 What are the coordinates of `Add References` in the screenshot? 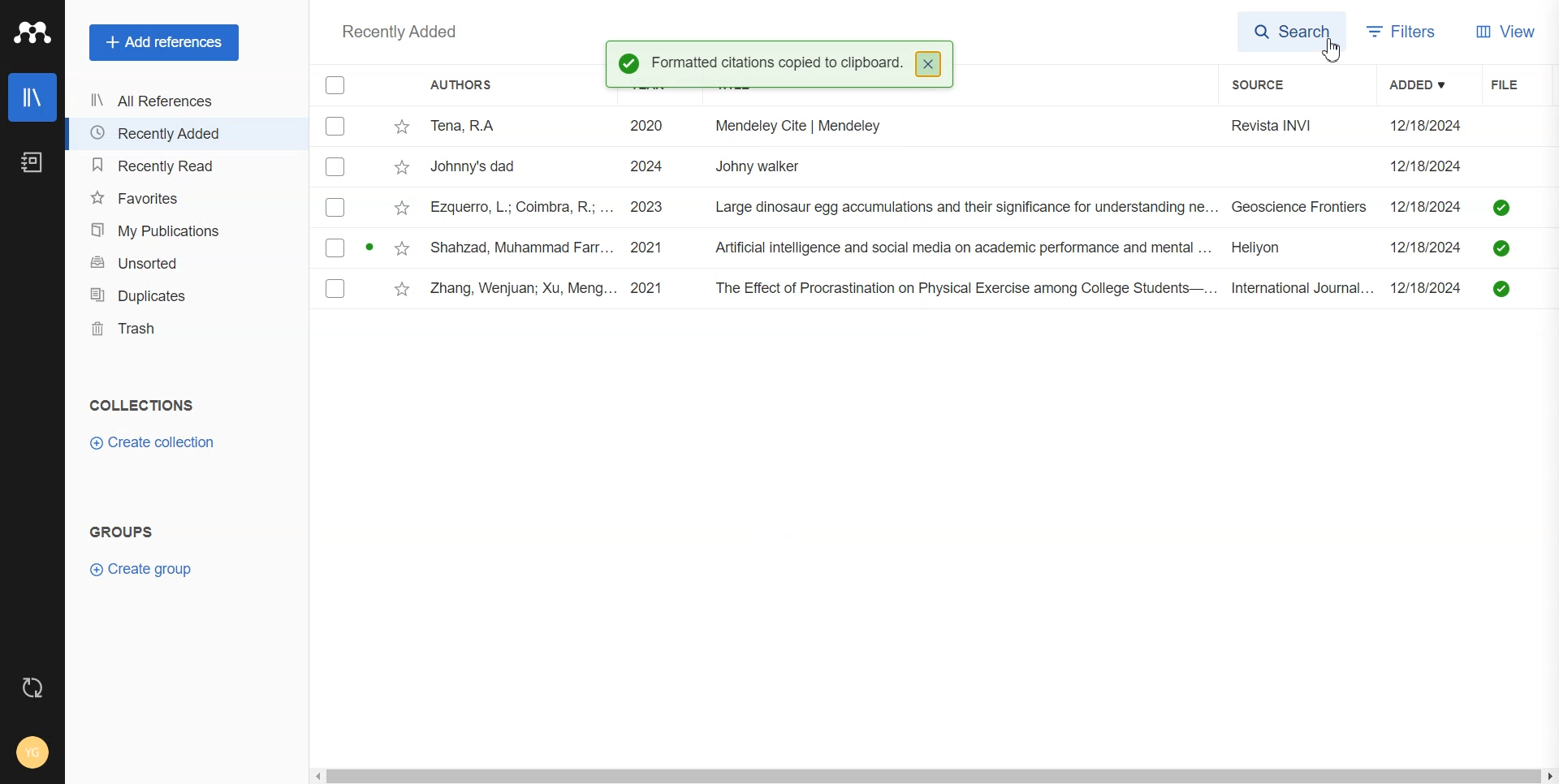 It's located at (165, 43).